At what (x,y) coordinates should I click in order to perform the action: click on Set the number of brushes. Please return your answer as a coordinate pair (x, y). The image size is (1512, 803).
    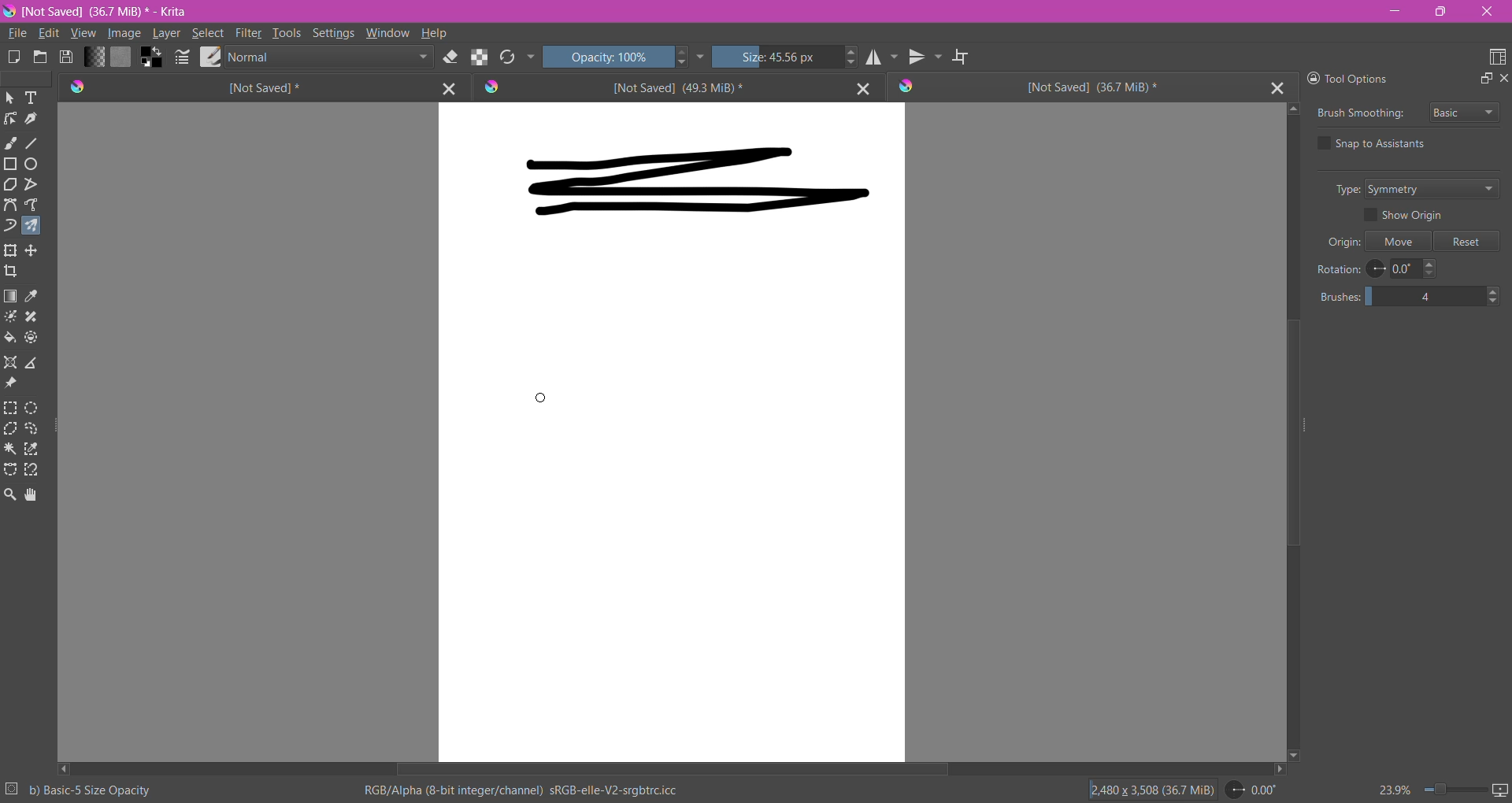
    Looking at the image, I should click on (1412, 298).